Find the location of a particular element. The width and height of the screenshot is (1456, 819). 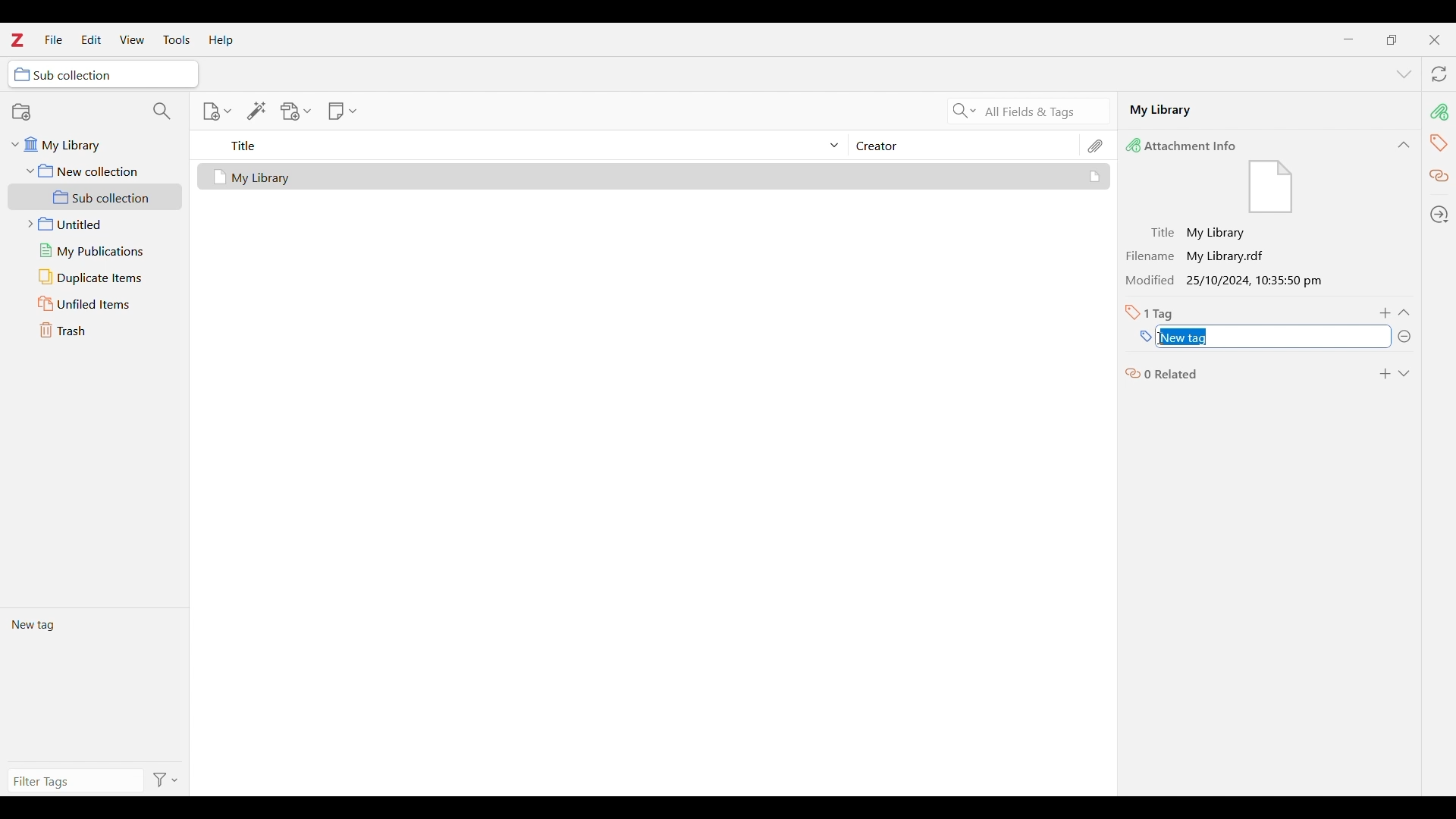

Related is located at coordinates (1440, 177).